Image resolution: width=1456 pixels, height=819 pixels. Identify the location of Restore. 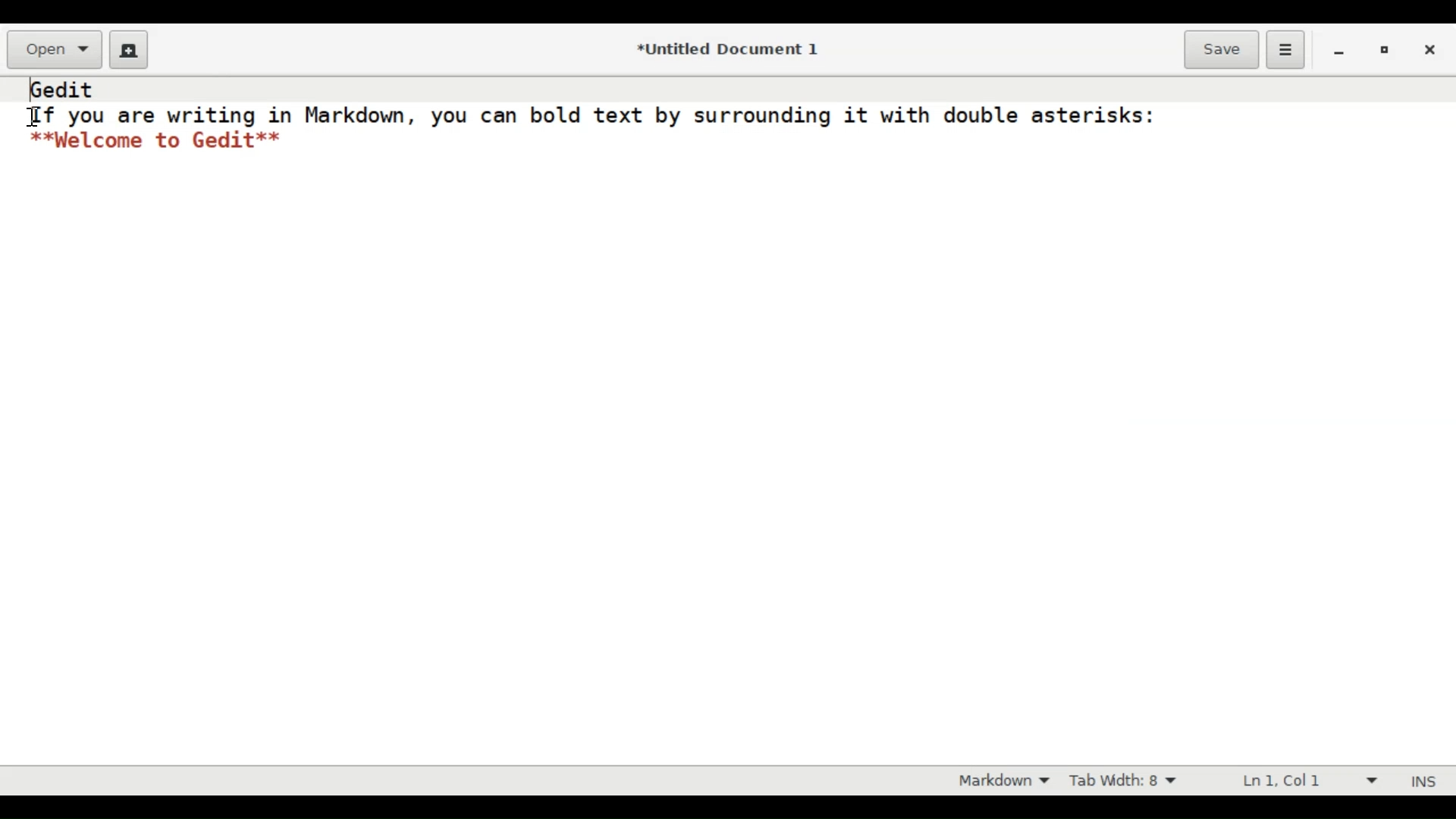
(1384, 51).